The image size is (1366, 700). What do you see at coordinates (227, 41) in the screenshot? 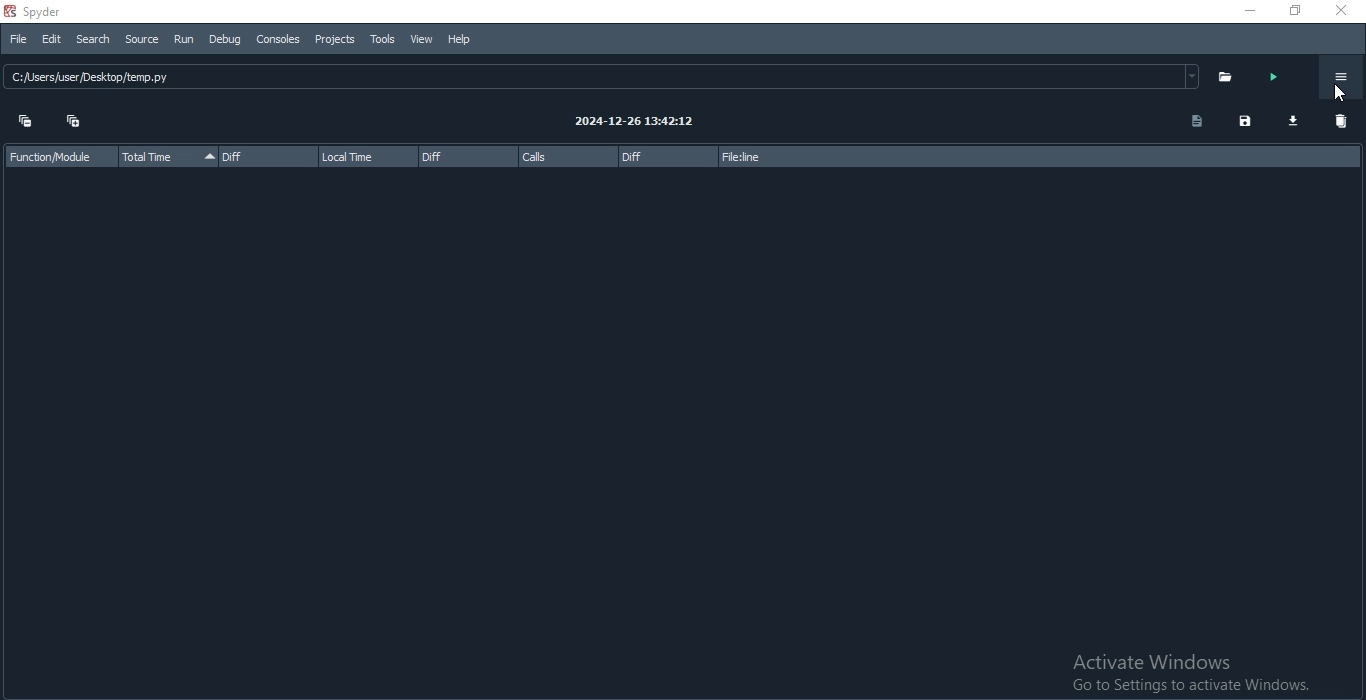
I see `Debug` at bounding box center [227, 41].